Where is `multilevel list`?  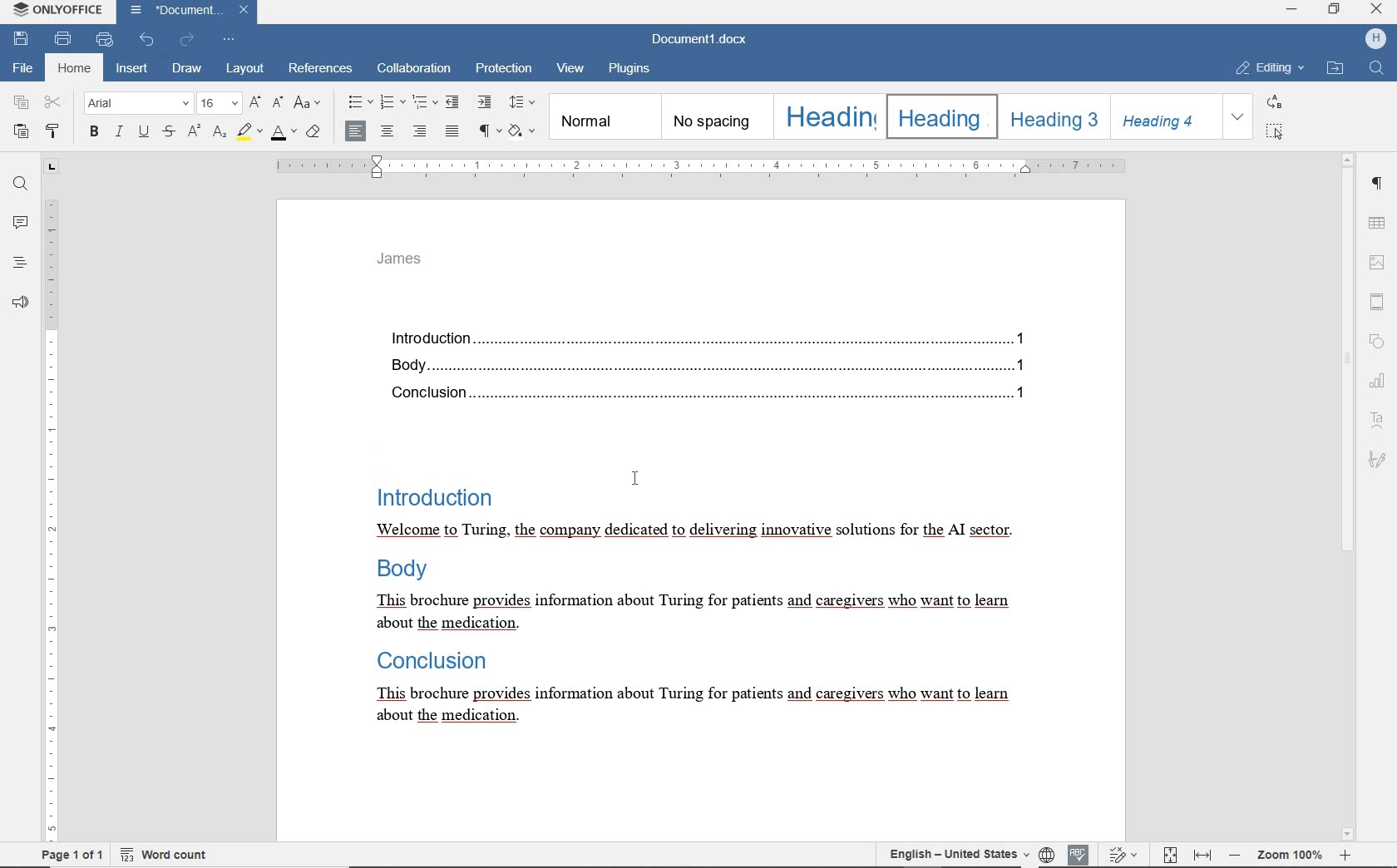 multilevel list is located at coordinates (423, 101).